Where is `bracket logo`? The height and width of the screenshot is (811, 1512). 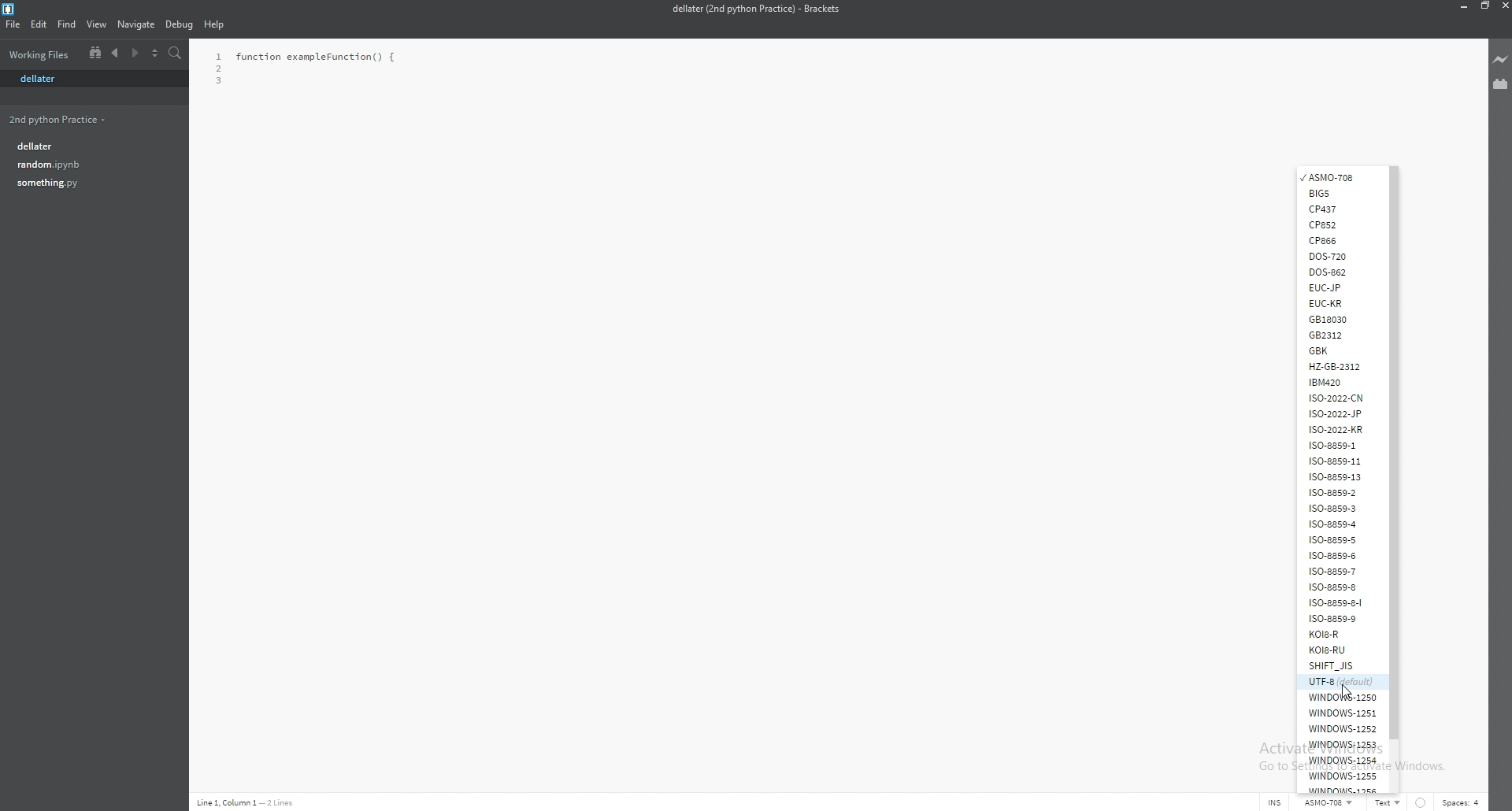 bracket logo is located at coordinates (12, 9).